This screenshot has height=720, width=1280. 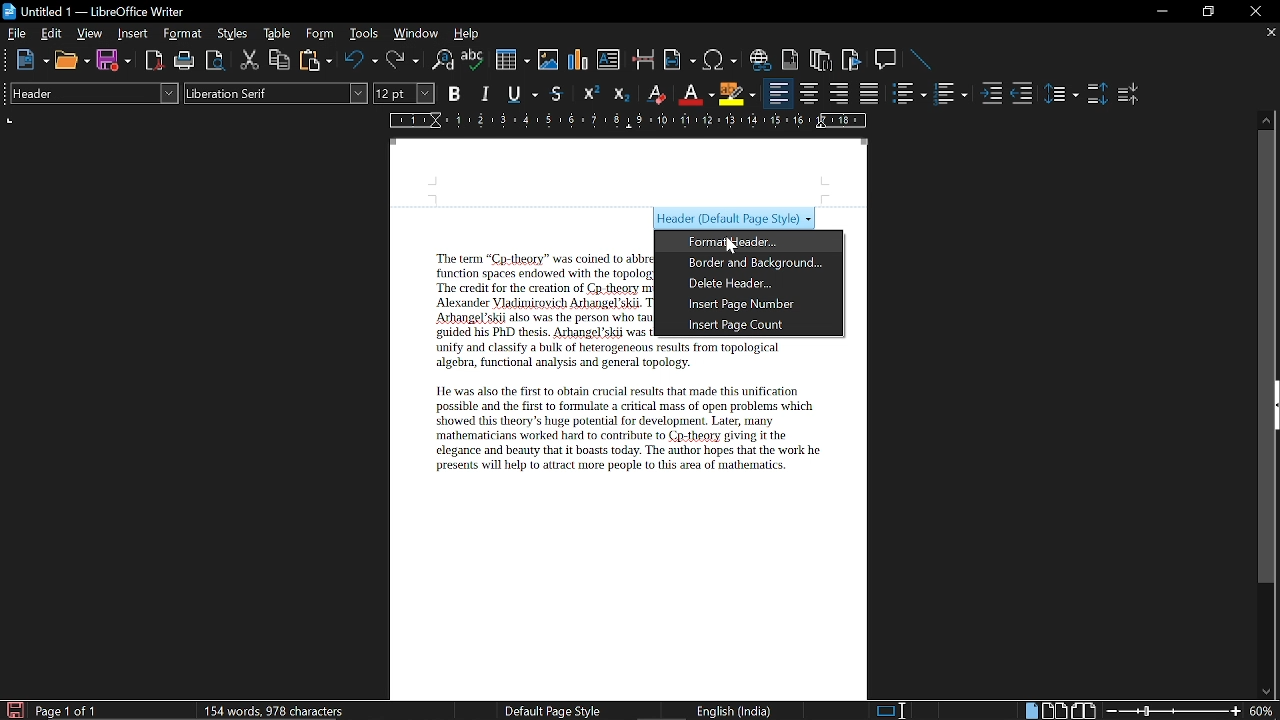 What do you see at coordinates (403, 93) in the screenshot?
I see `Text size` at bounding box center [403, 93].